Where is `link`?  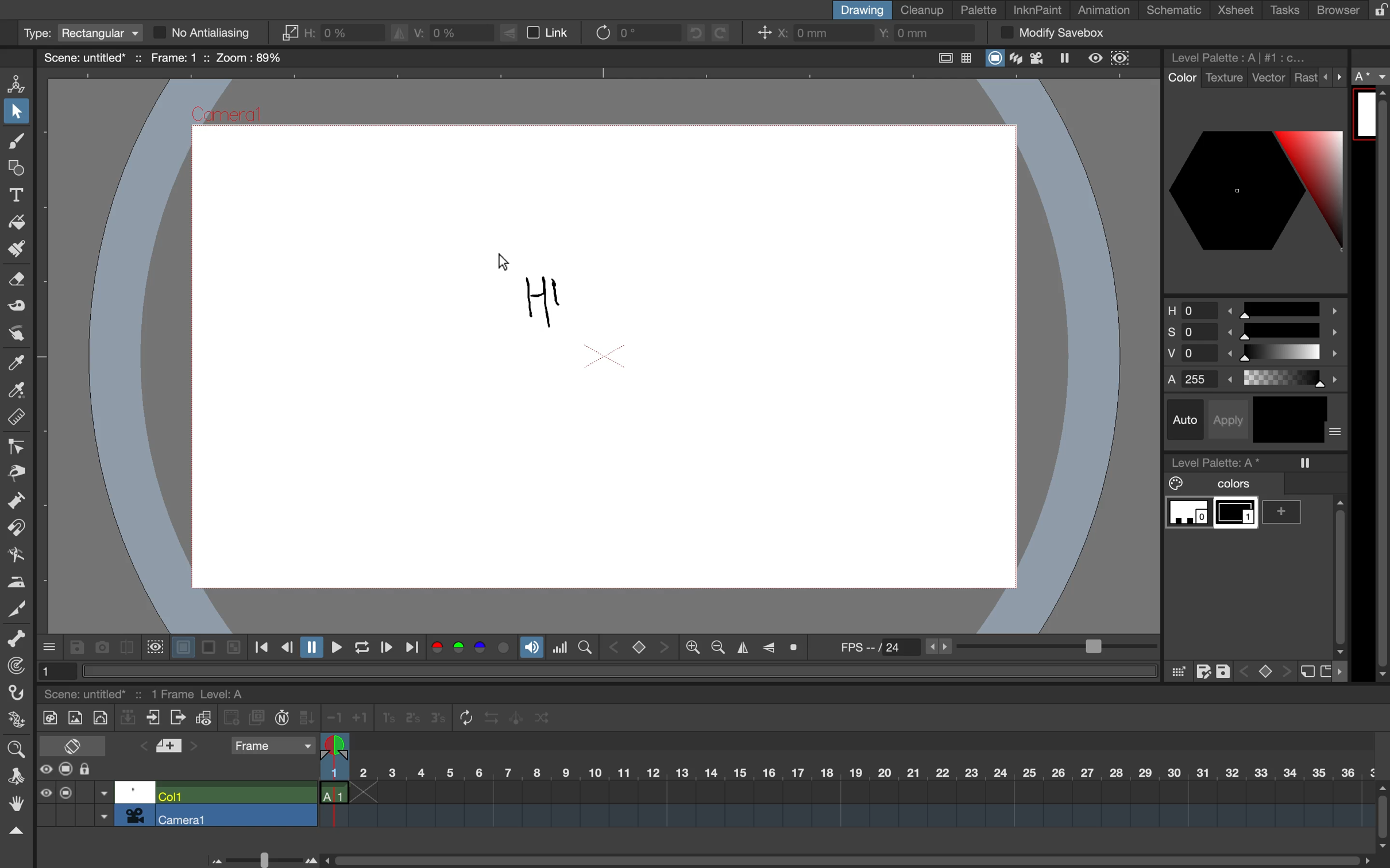 link is located at coordinates (542, 33).